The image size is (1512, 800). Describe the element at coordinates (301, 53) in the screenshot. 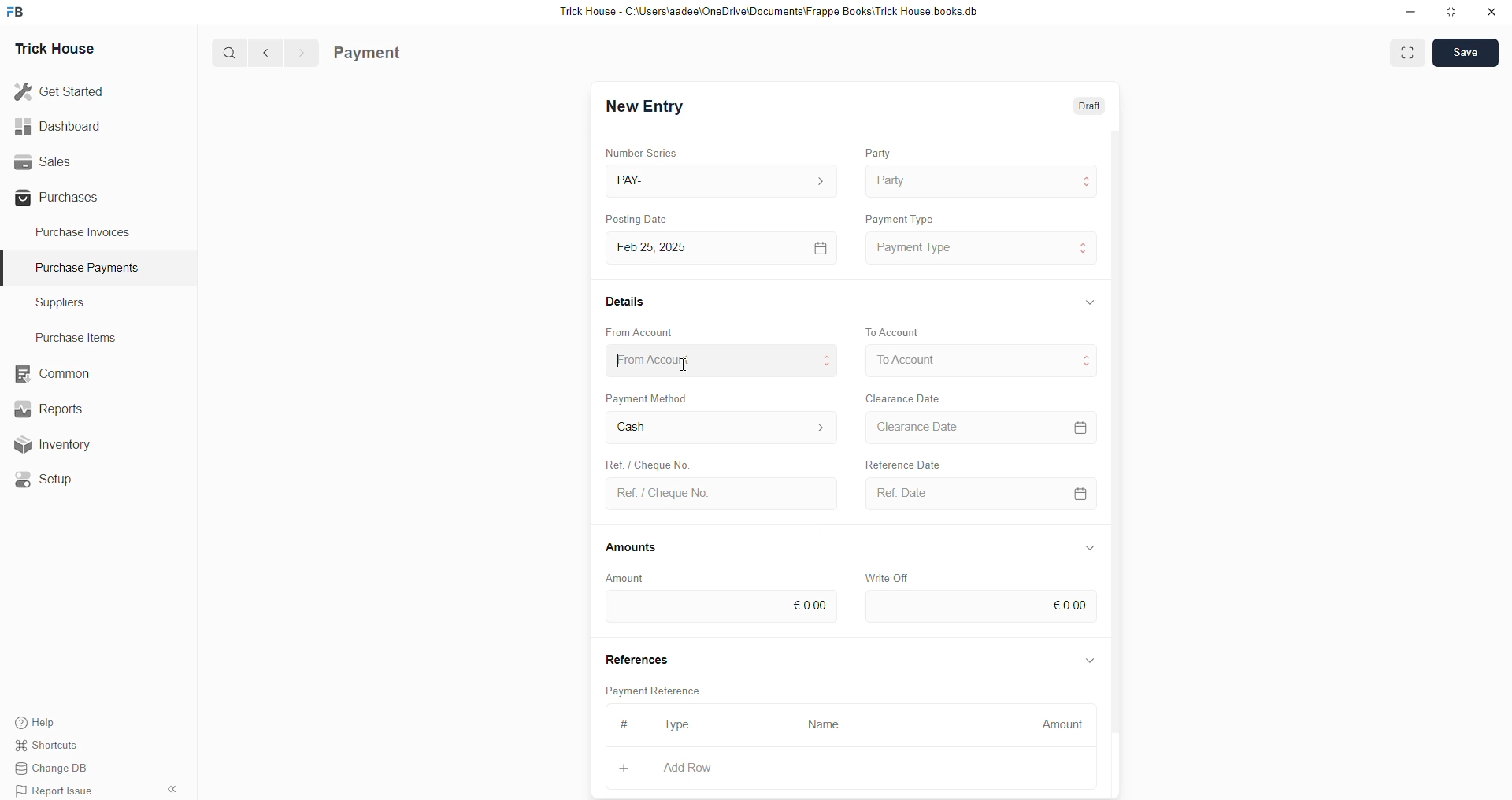

I see `>` at that location.